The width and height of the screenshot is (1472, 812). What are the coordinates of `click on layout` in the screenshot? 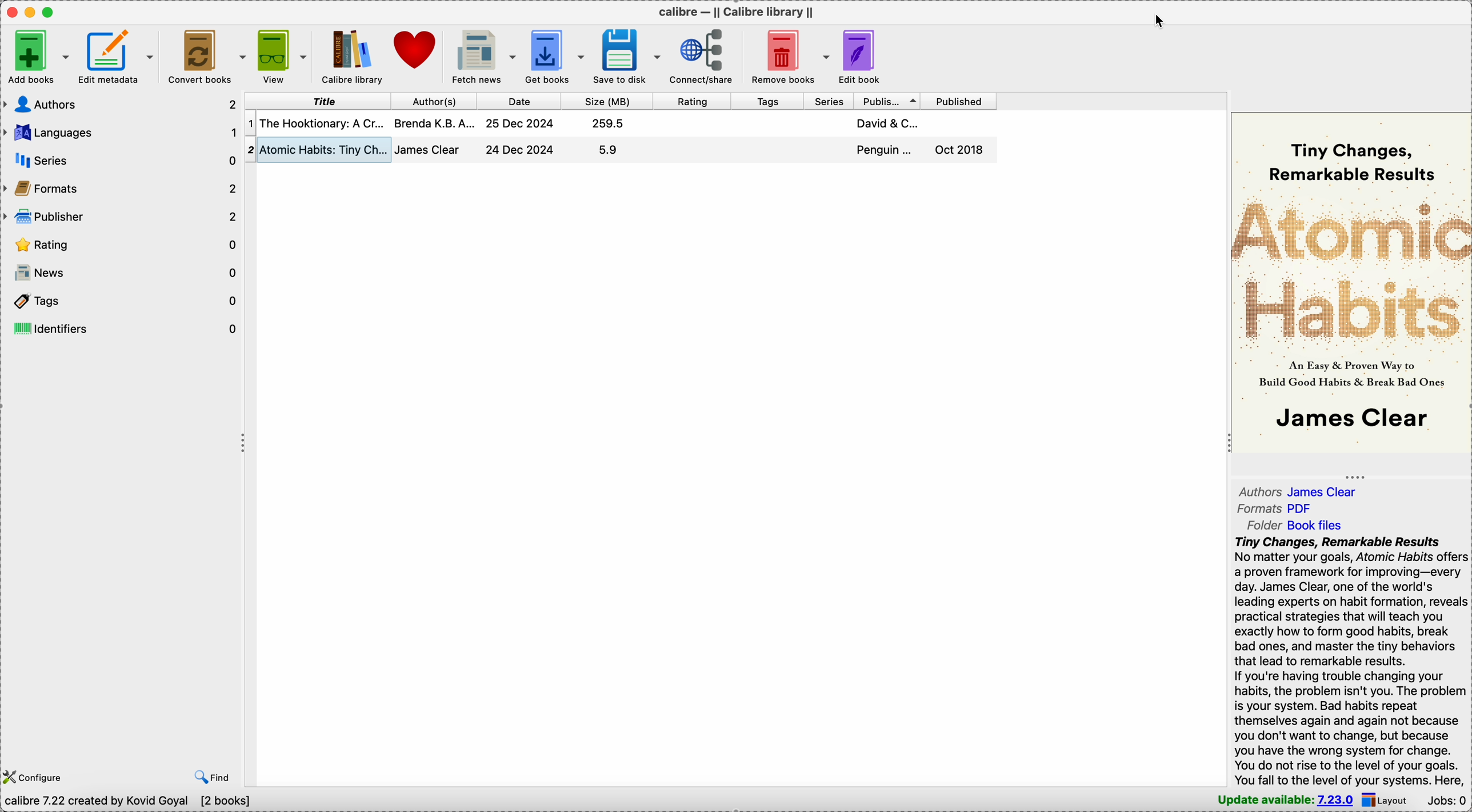 It's located at (1391, 800).